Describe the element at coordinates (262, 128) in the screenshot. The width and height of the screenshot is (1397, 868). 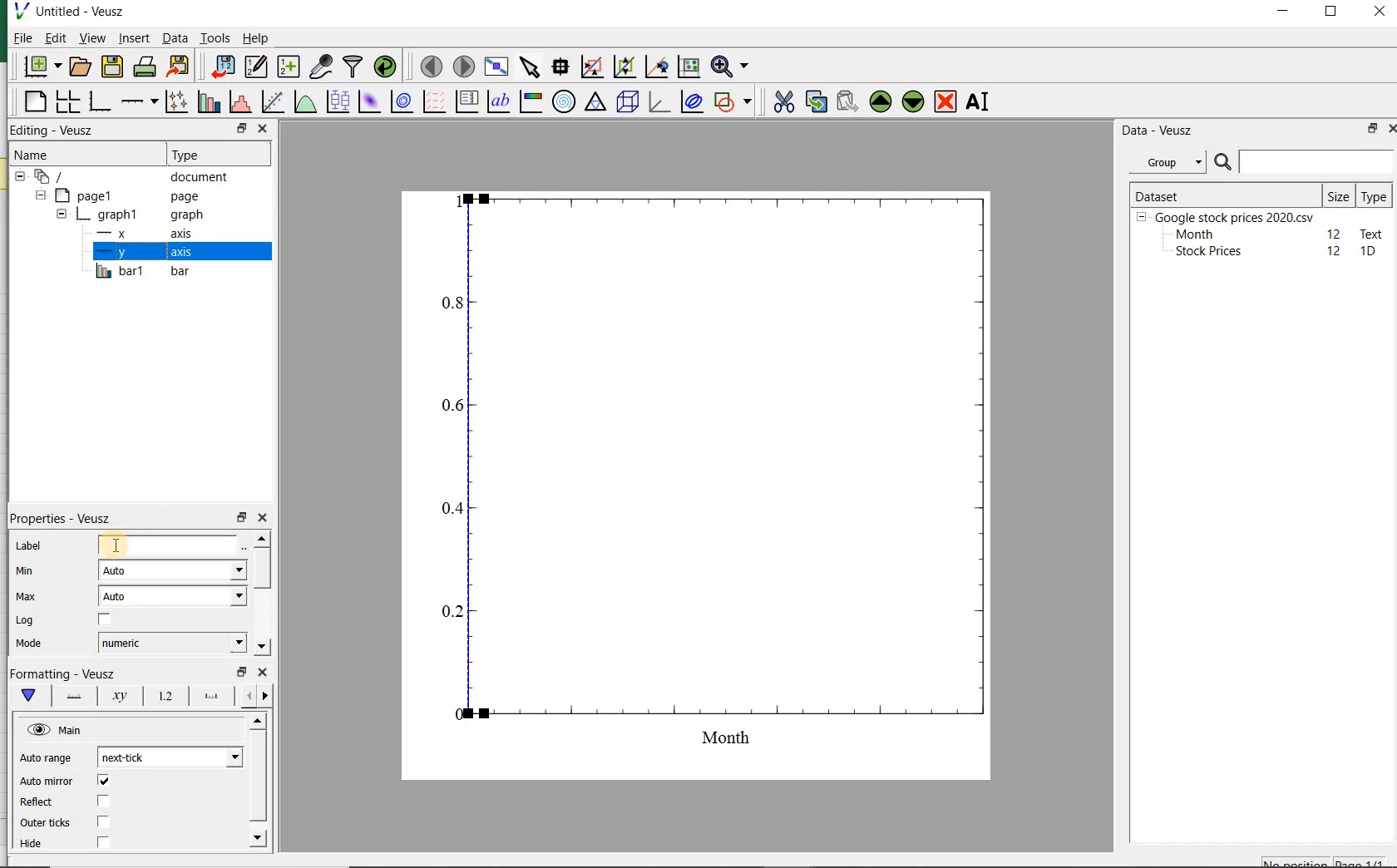
I see `close` at that location.